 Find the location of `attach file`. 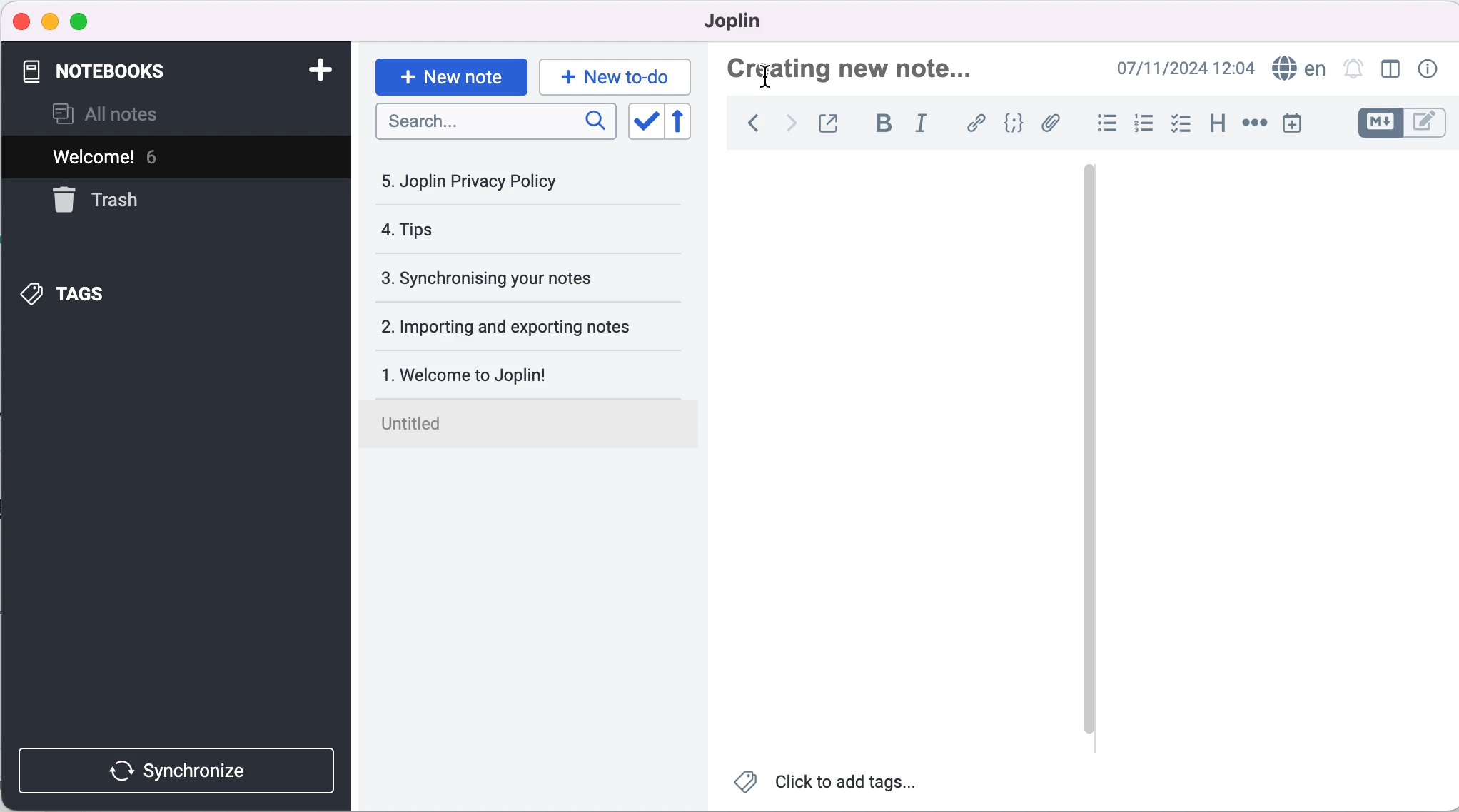

attach file is located at coordinates (1052, 125).